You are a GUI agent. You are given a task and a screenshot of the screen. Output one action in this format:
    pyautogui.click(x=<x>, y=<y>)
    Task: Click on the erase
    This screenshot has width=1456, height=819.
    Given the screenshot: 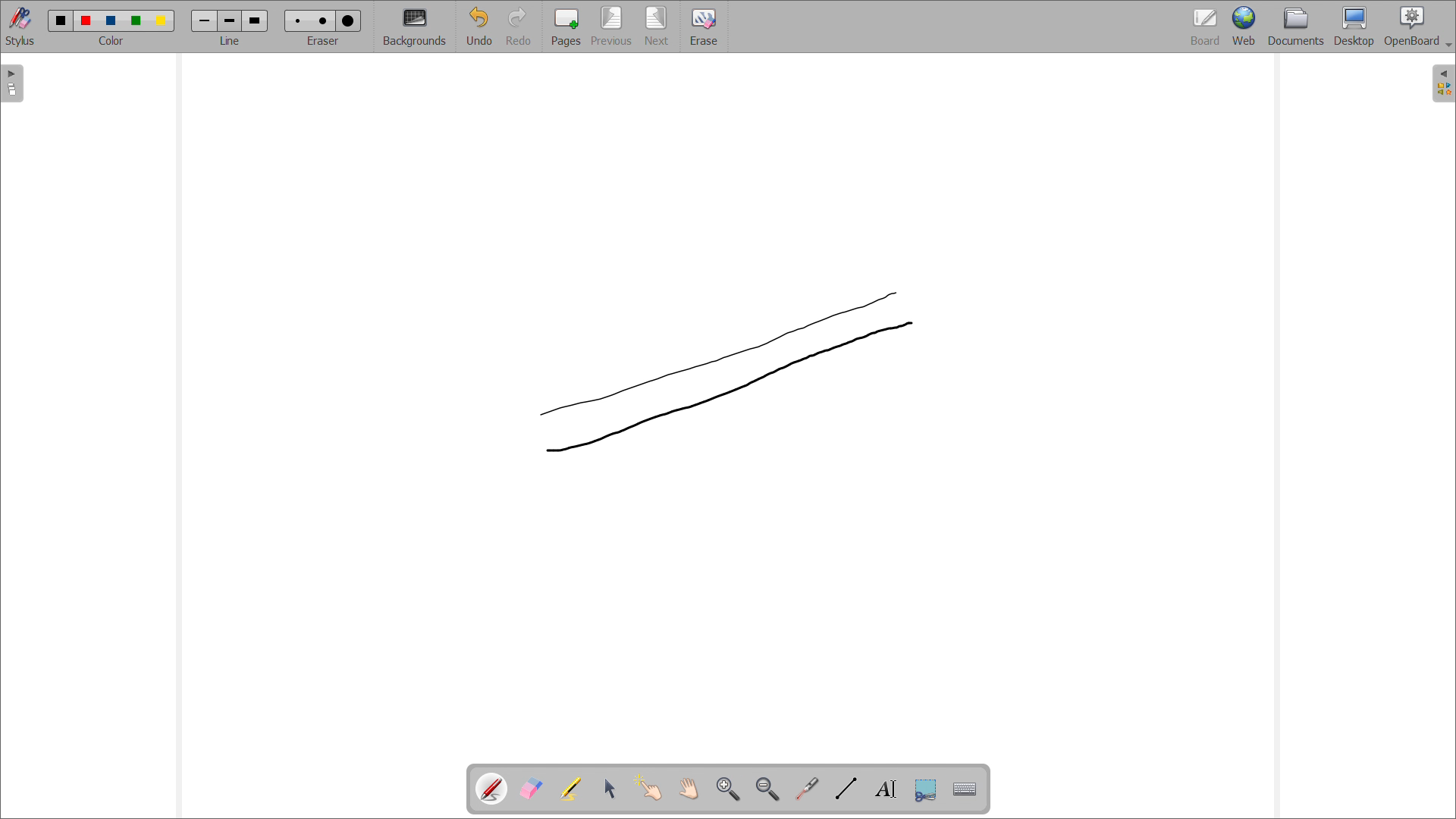 What is the action you would take?
    pyautogui.click(x=704, y=27)
    